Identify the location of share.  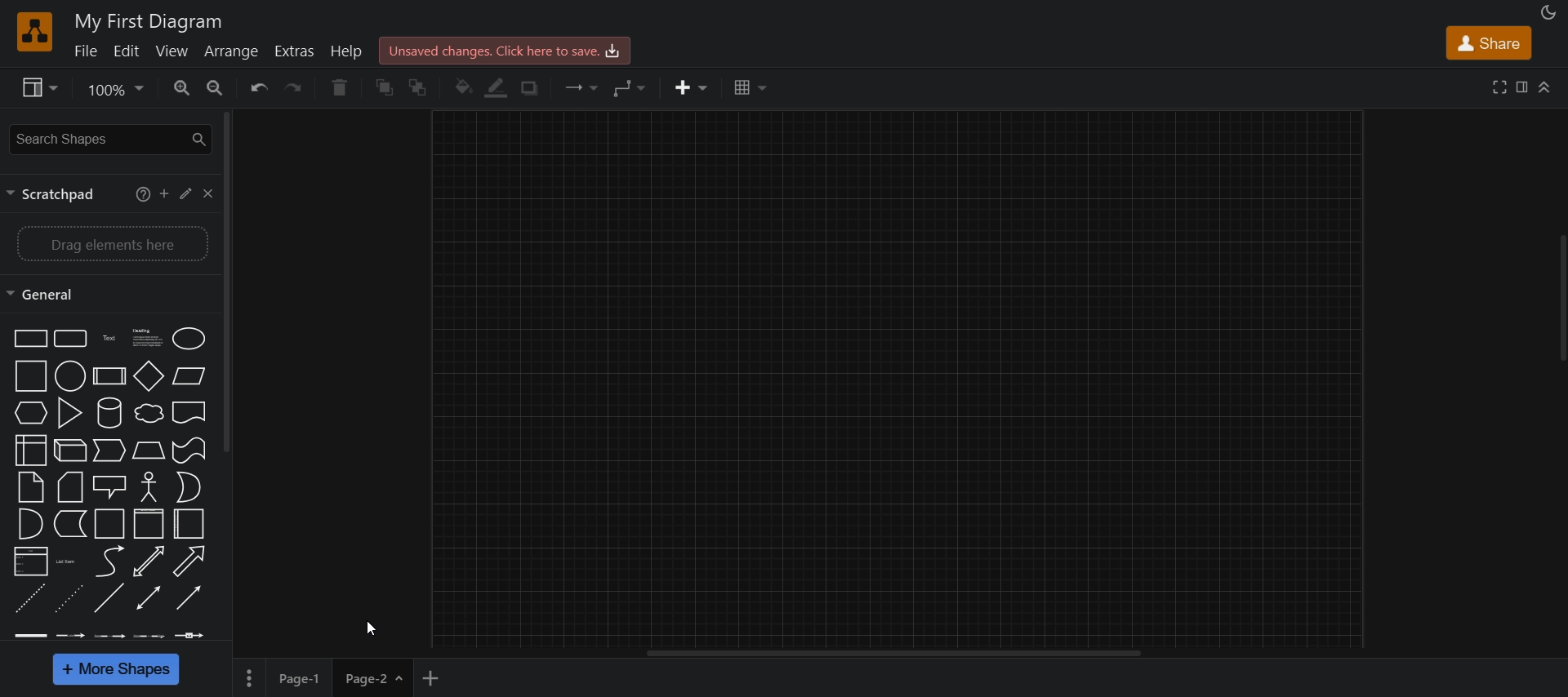
(1488, 44).